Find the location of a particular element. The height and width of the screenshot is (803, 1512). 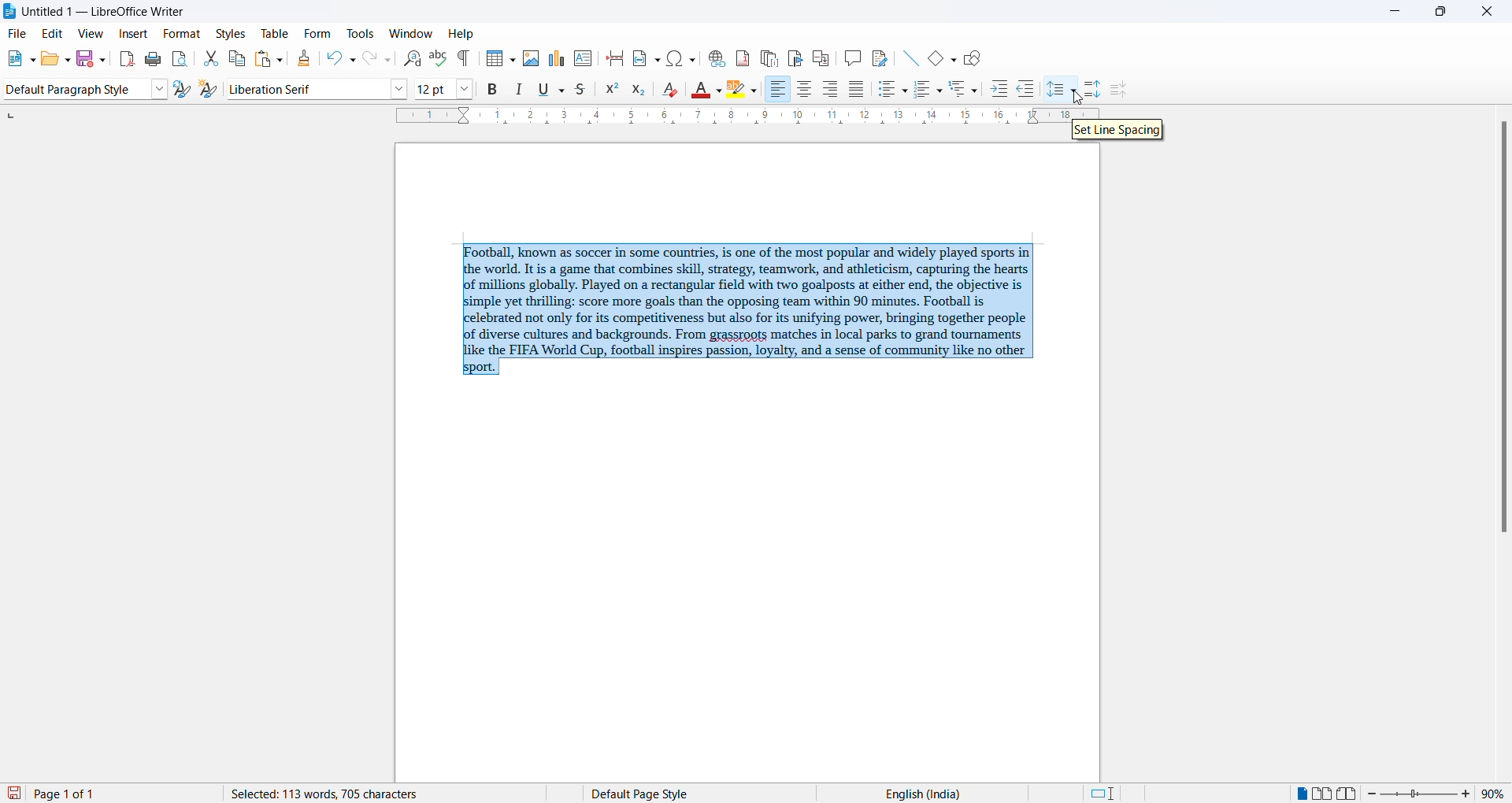

multipage view is located at coordinates (1325, 795).